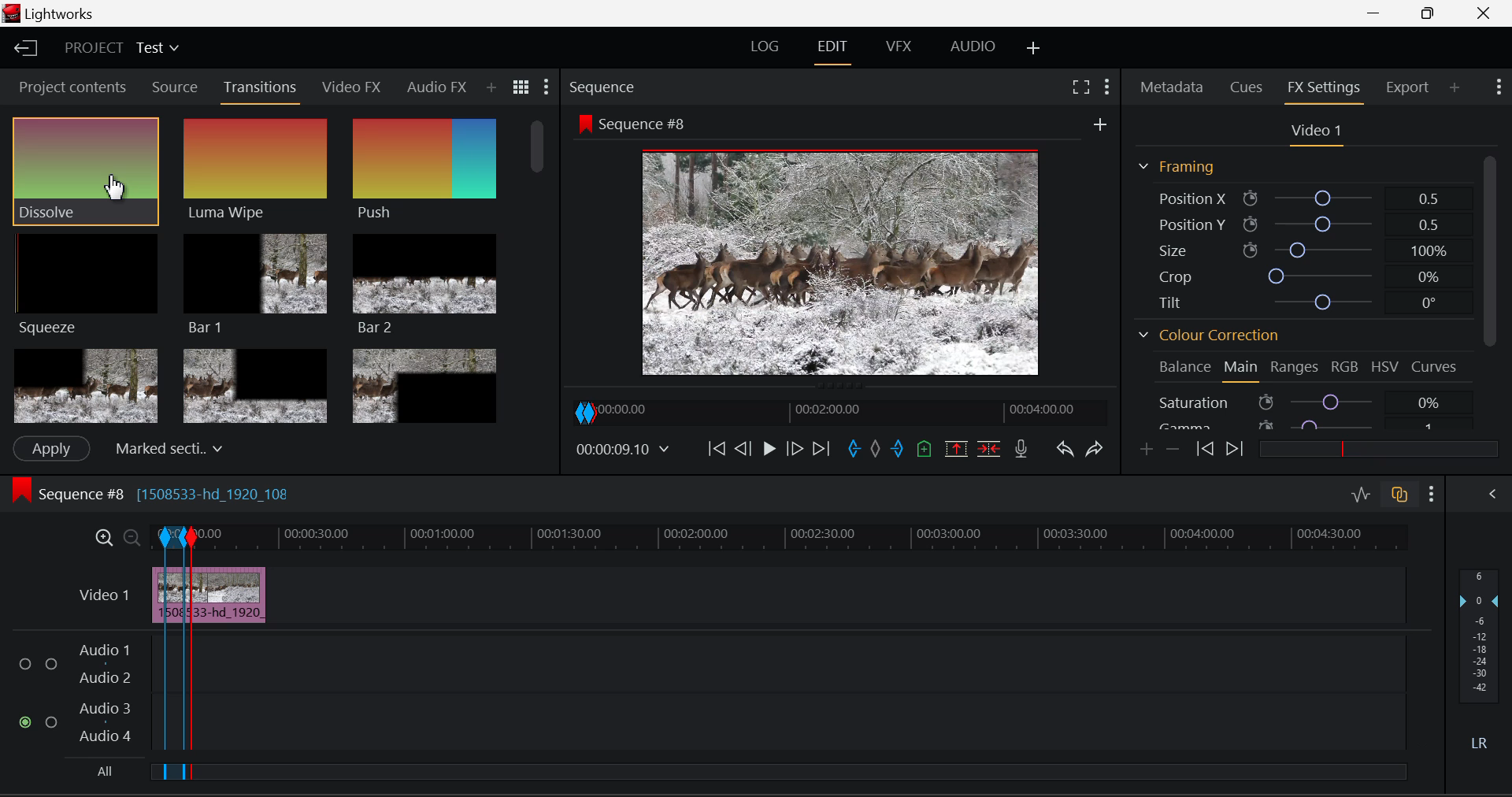 Image resolution: width=1512 pixels, height=797 pixels. Describe the element at coordinates (1482, 662) in the screenshot. I see `Decibel Level` at that location.